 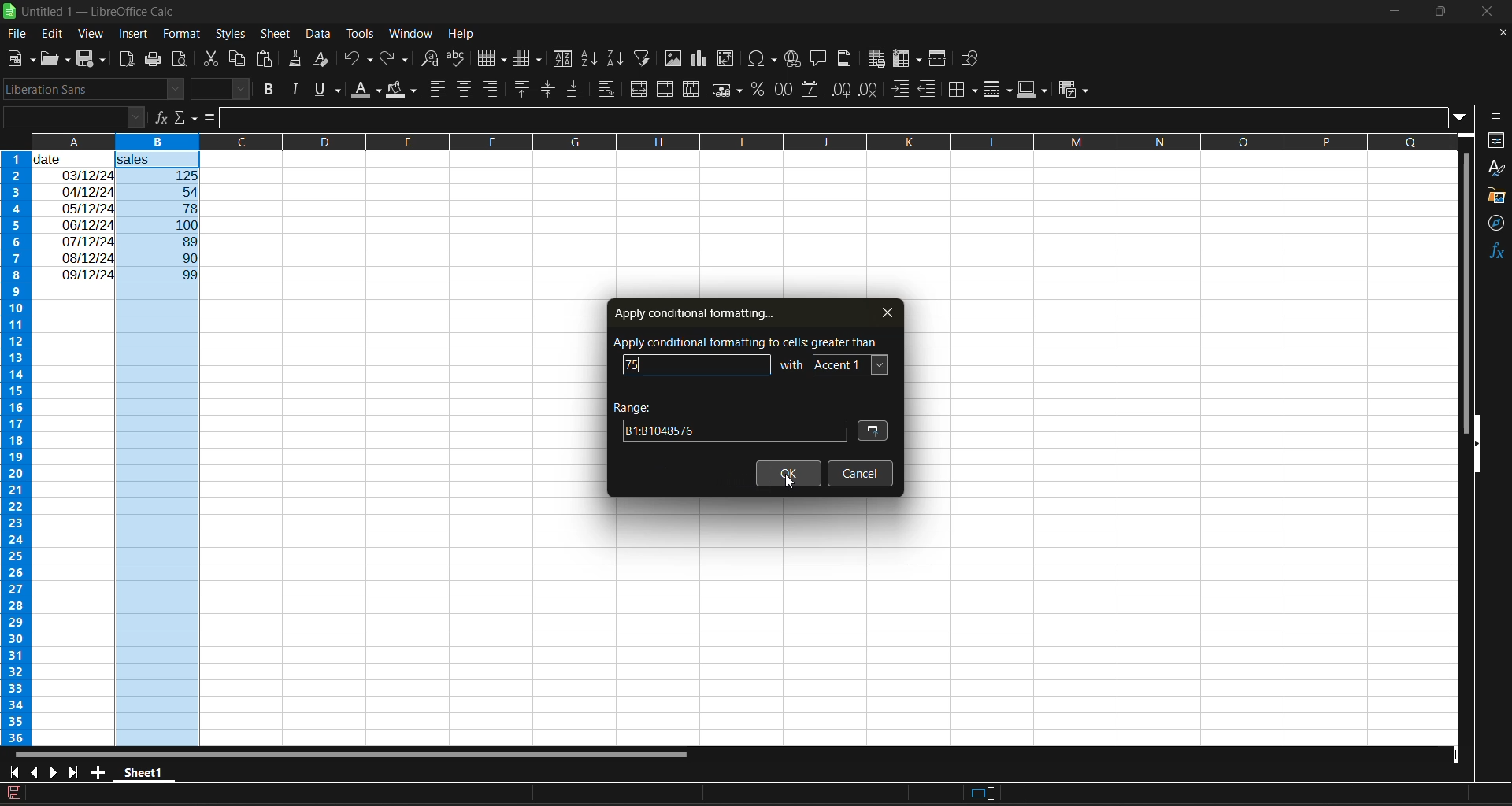 What do you see at coordinates (1413, 793) in the screenshot?
I see `zoom slider` at bounding box center [1413, 793].